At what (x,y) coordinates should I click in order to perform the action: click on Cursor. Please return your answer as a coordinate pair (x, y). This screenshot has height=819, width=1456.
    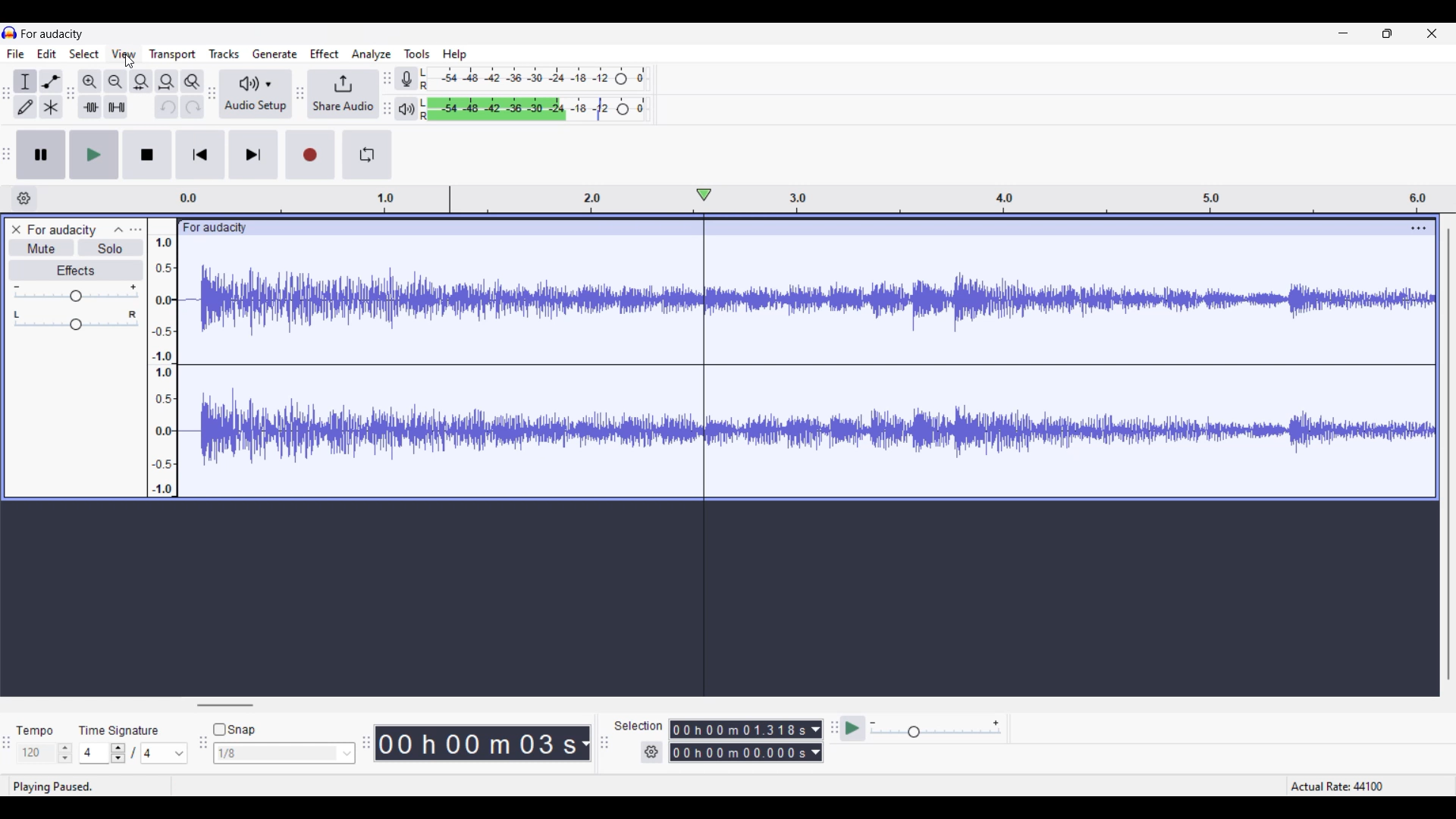
    Looking at the image, I should click on (130, 61).